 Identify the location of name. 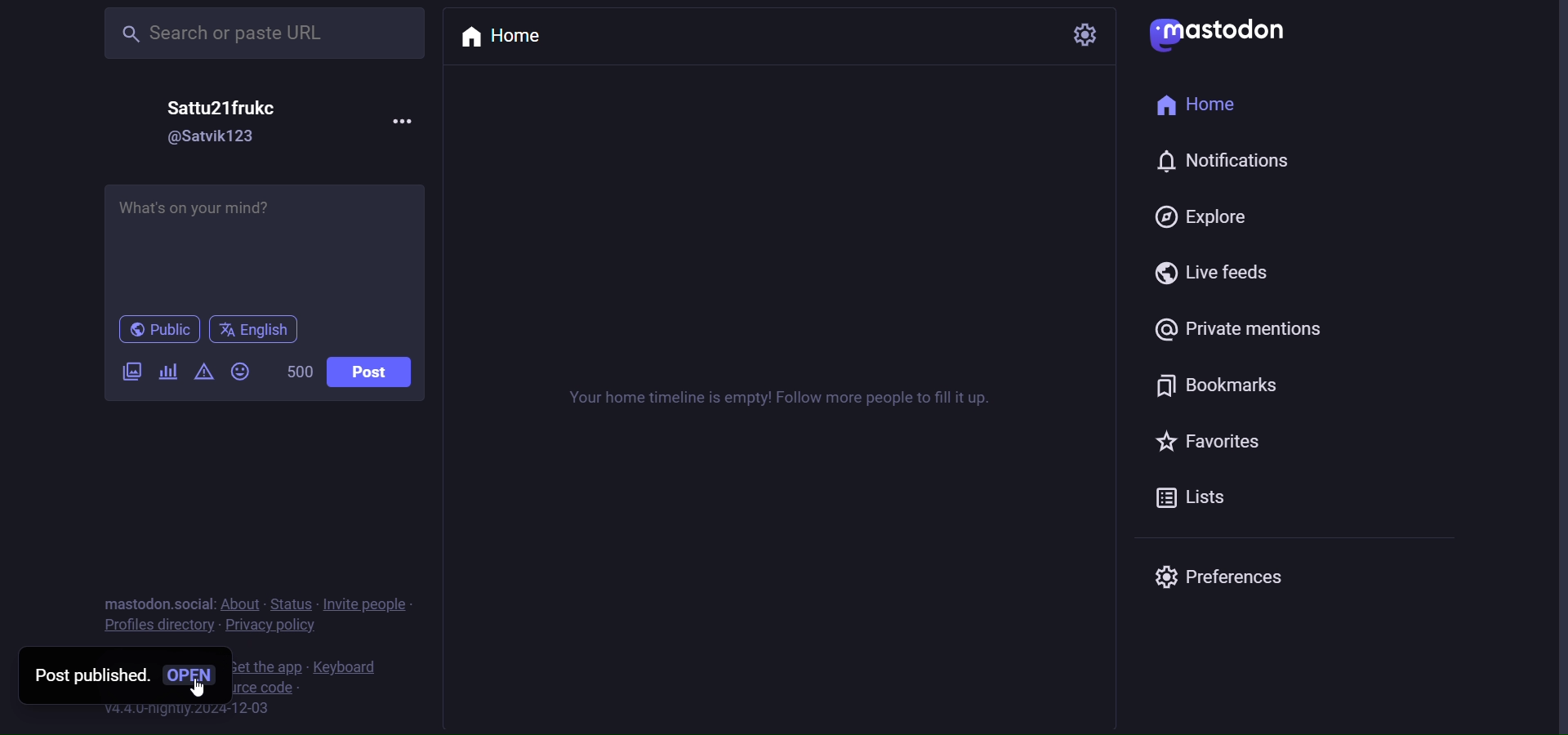
(224, 102).